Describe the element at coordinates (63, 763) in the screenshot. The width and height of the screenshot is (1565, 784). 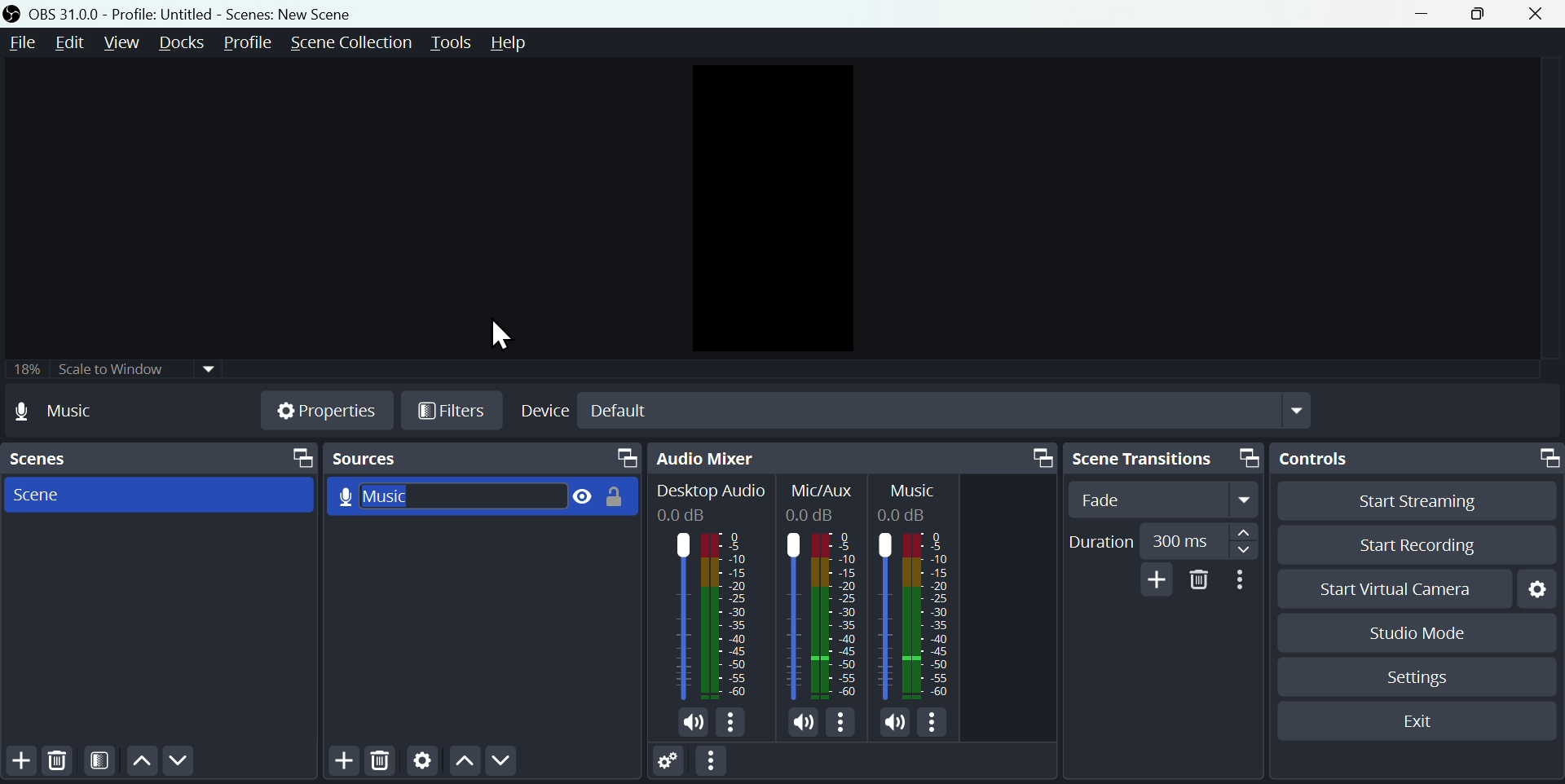
I see `Delete` at that location.